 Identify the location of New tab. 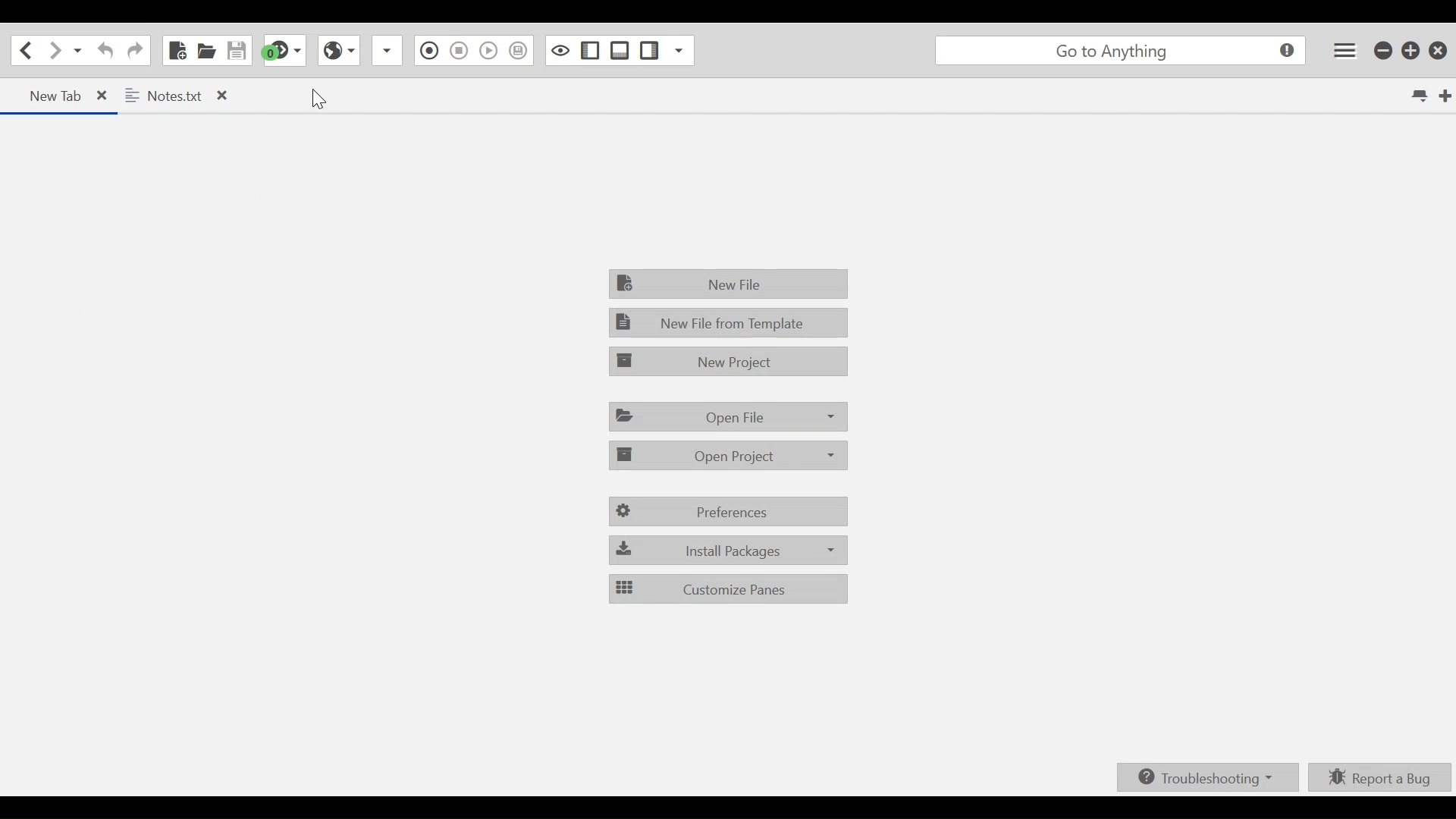
(1444, 93).